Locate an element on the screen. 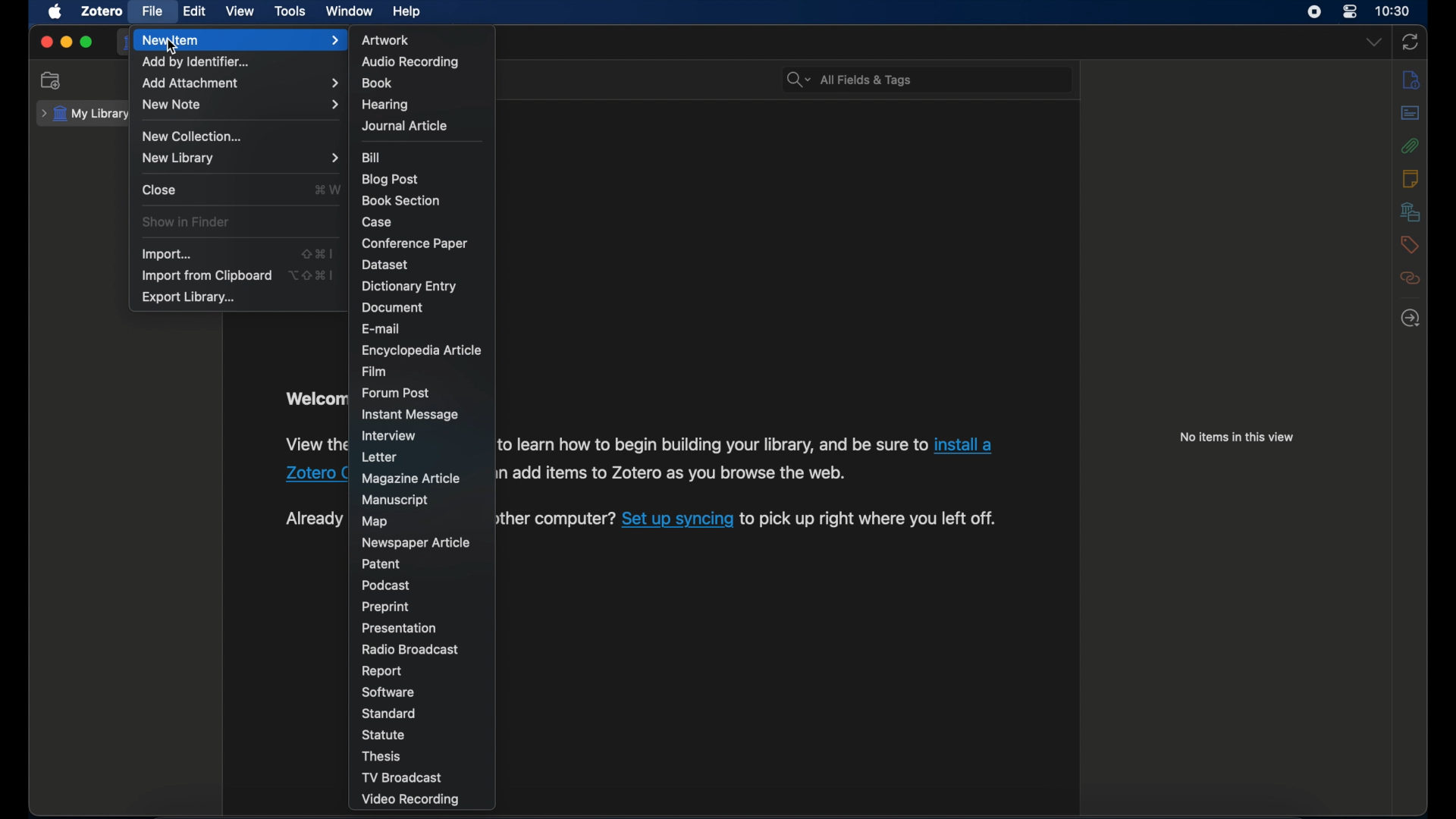 This screenshot has width=1456, height=819. zotero is located at coordinates (102, 11).